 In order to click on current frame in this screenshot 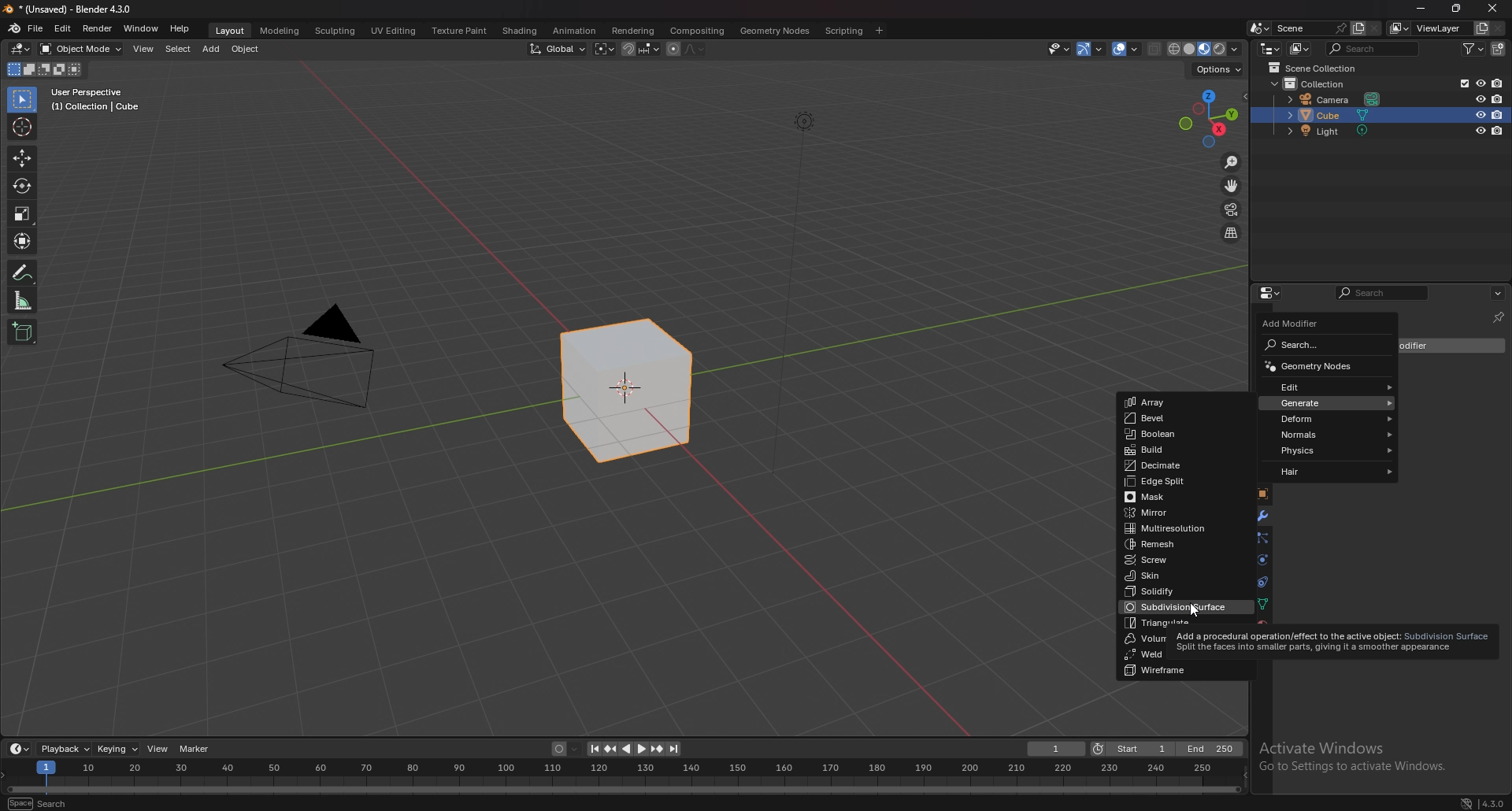, I will do `click(1057, 749)`.